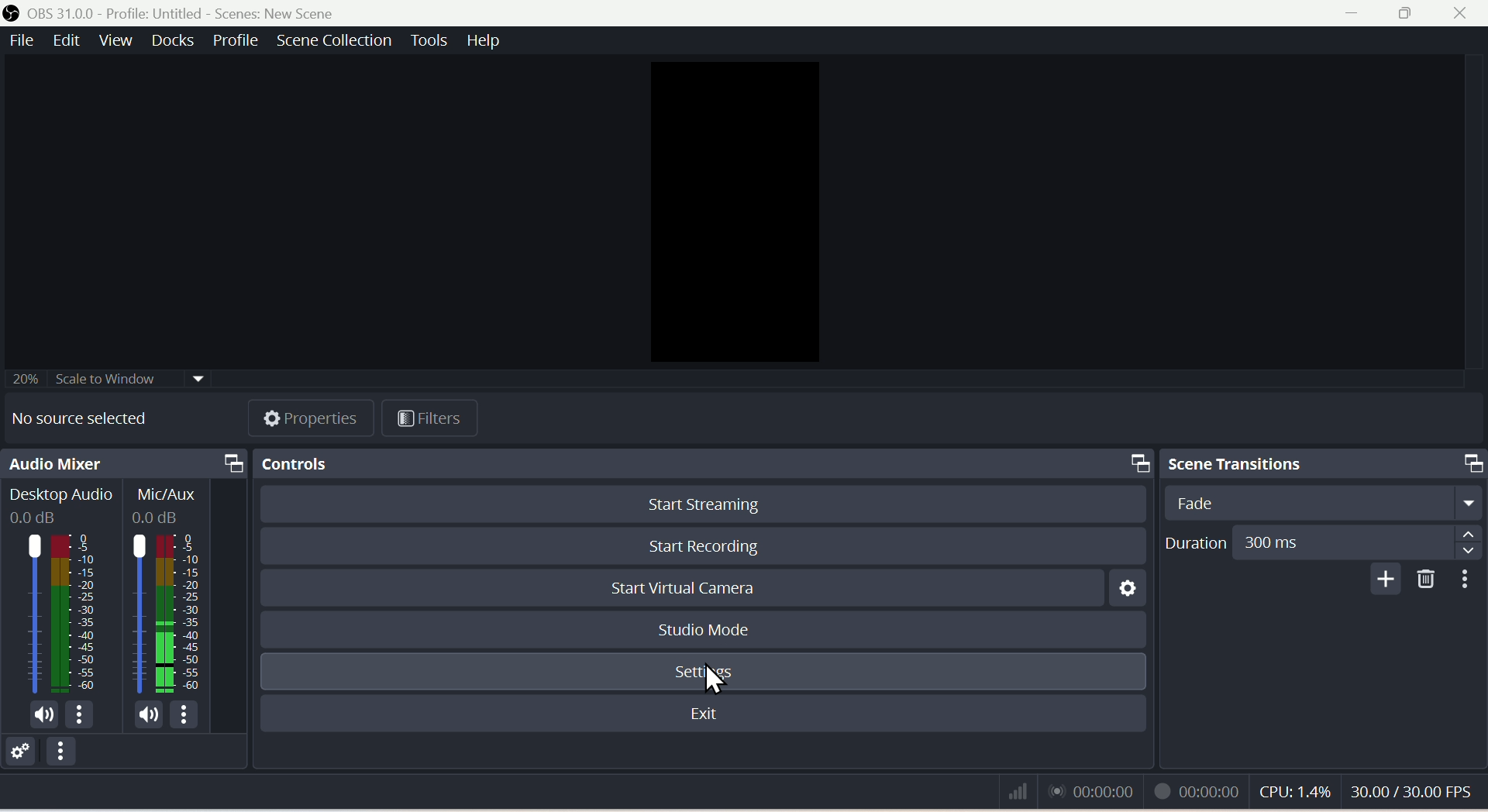 This screenshot has height=812, width=1488. Describe the element at coordinates (1466, 580) in the screenshot. I see `More options` at that location.